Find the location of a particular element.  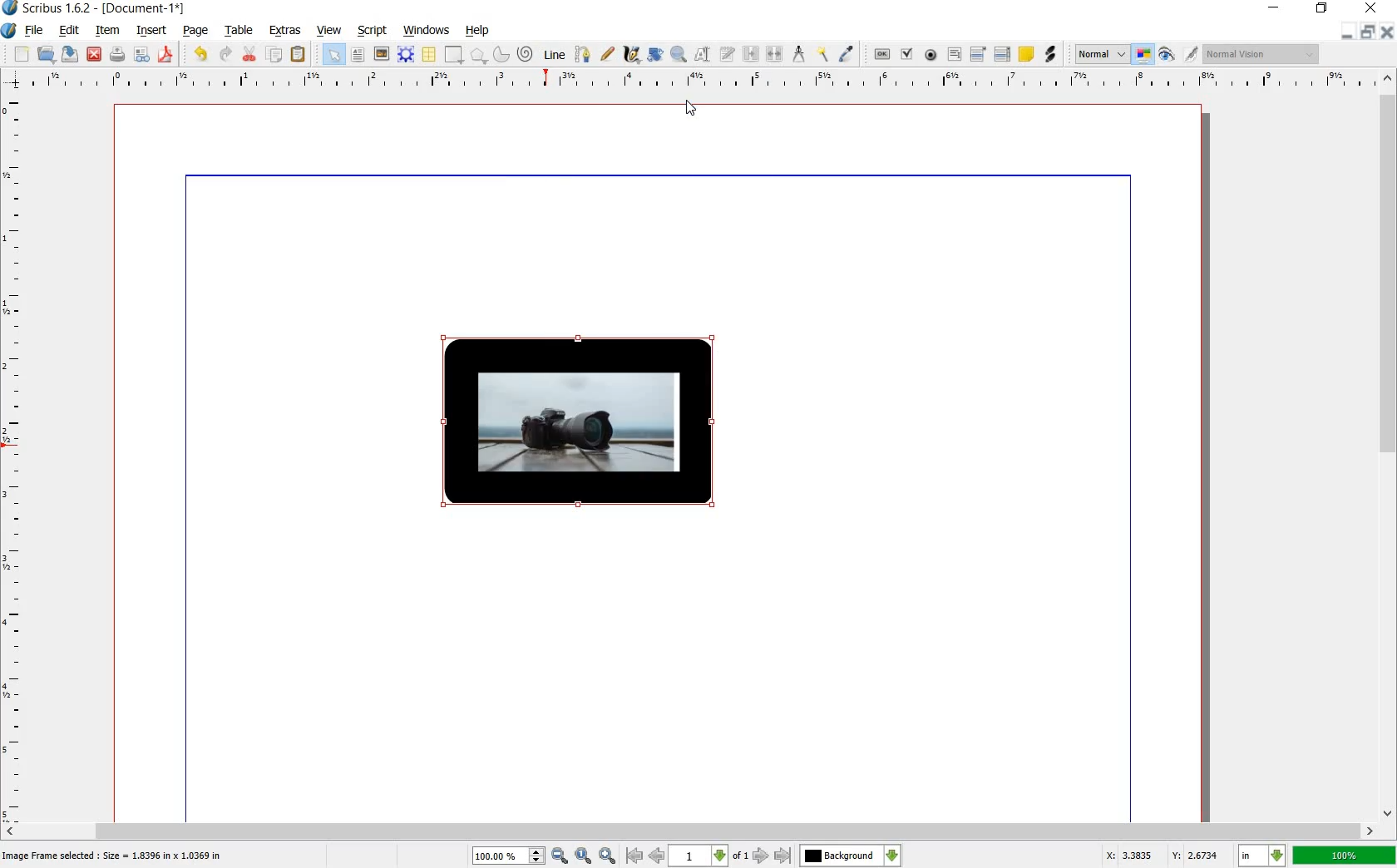

toggle color management system is located at coordinates (1143, 55).